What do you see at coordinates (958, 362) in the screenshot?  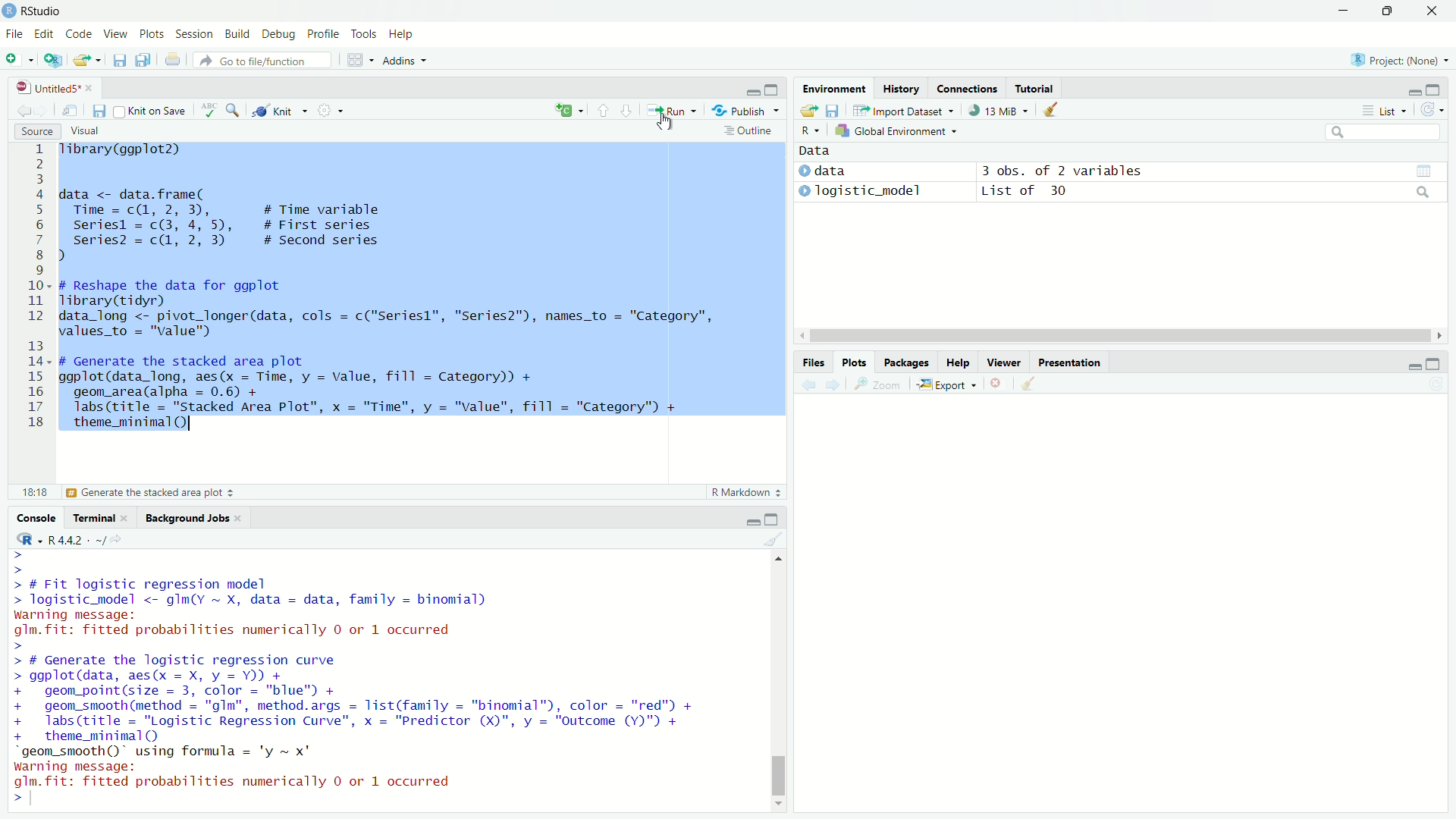 I see `Help.` at bounding box center [958, 362].